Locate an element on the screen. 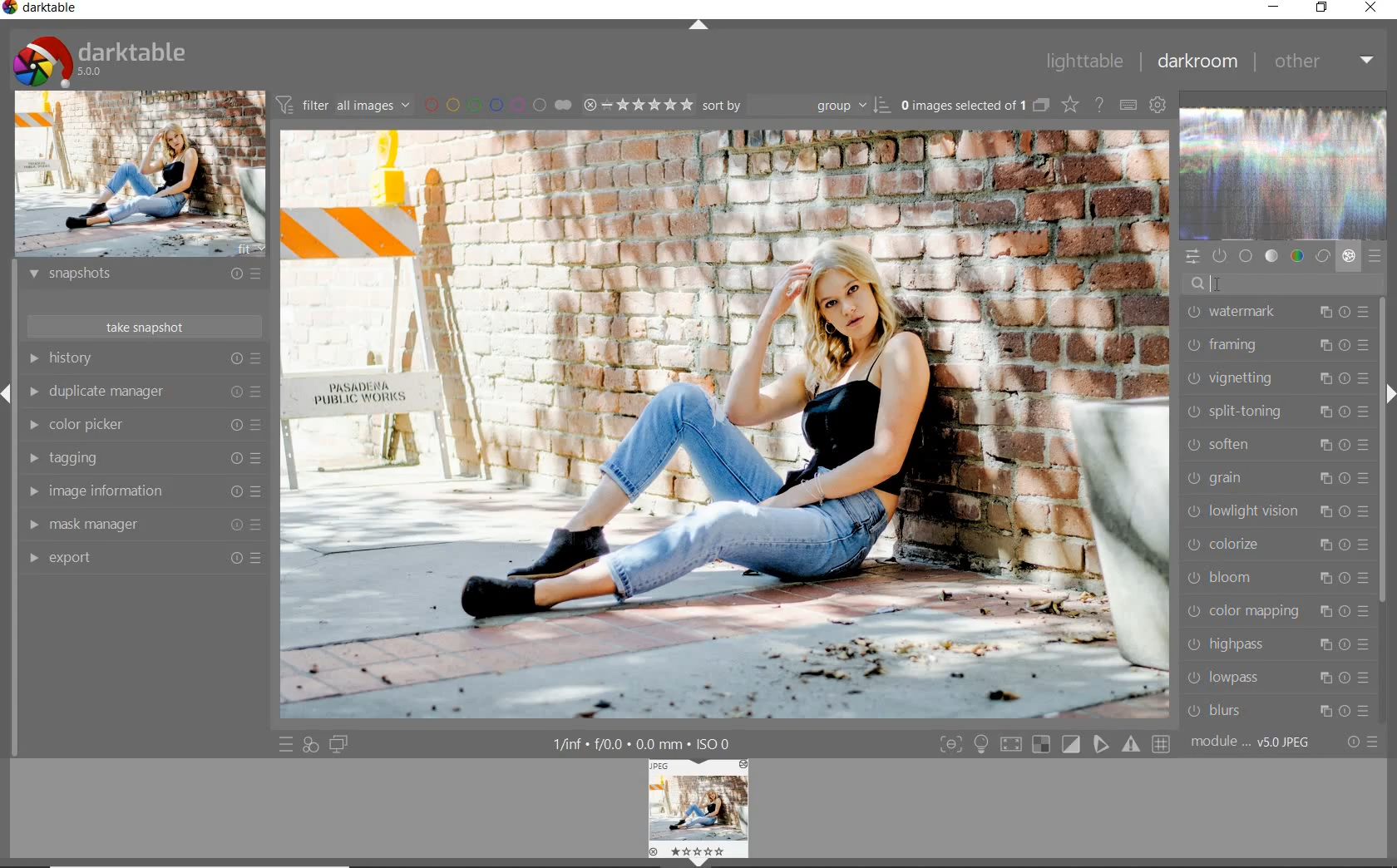 This screenshot has width=1397, height=868. tone is located at coordinates (1272, 257).